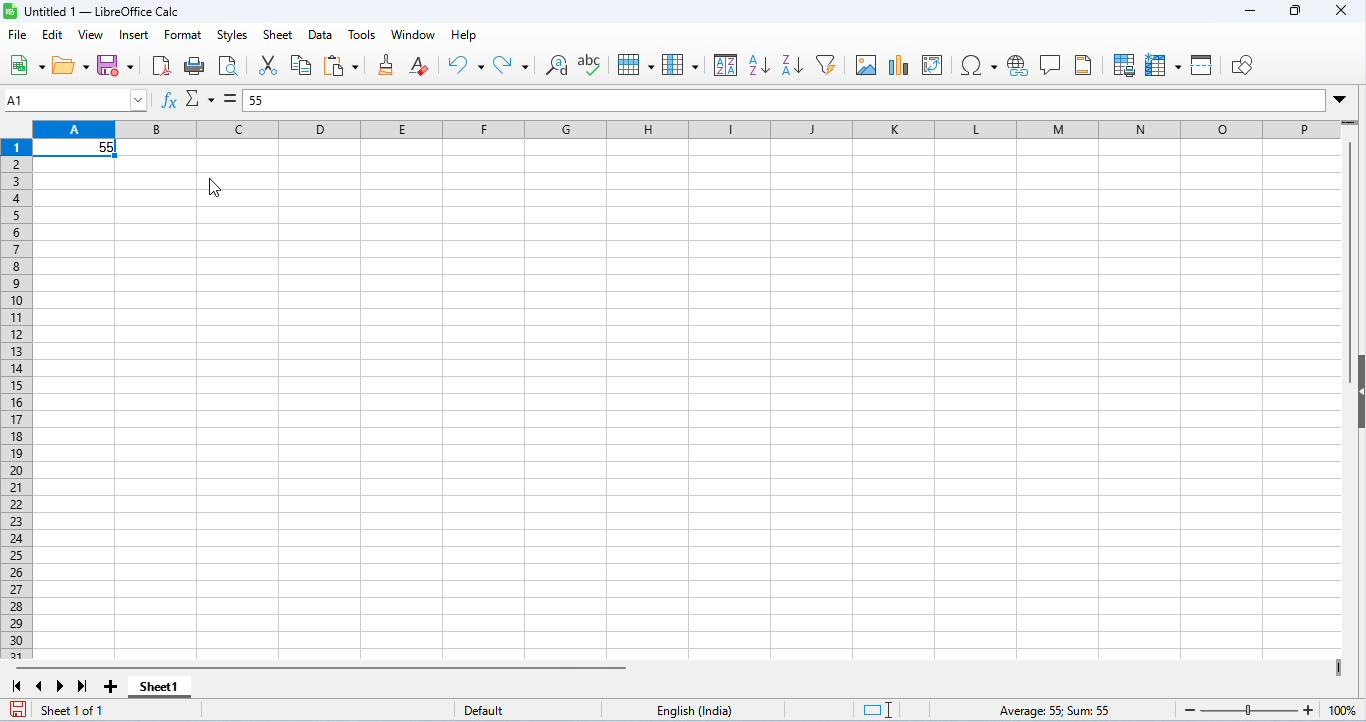  I want to click on save, so click(116, 66).